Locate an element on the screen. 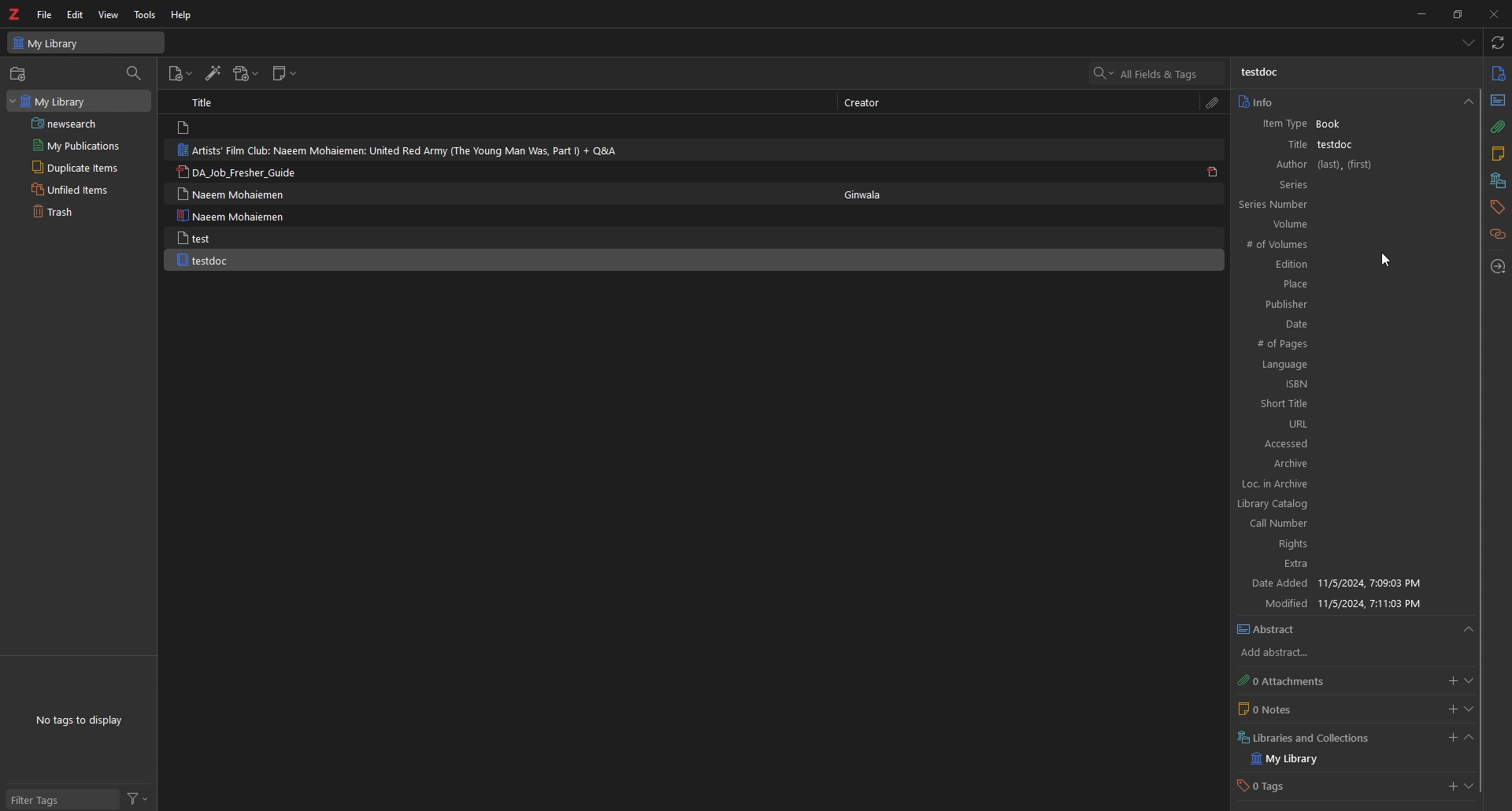 The width and height of the screenshot is (1512, 811). filter is located at coordinates (138, 799).